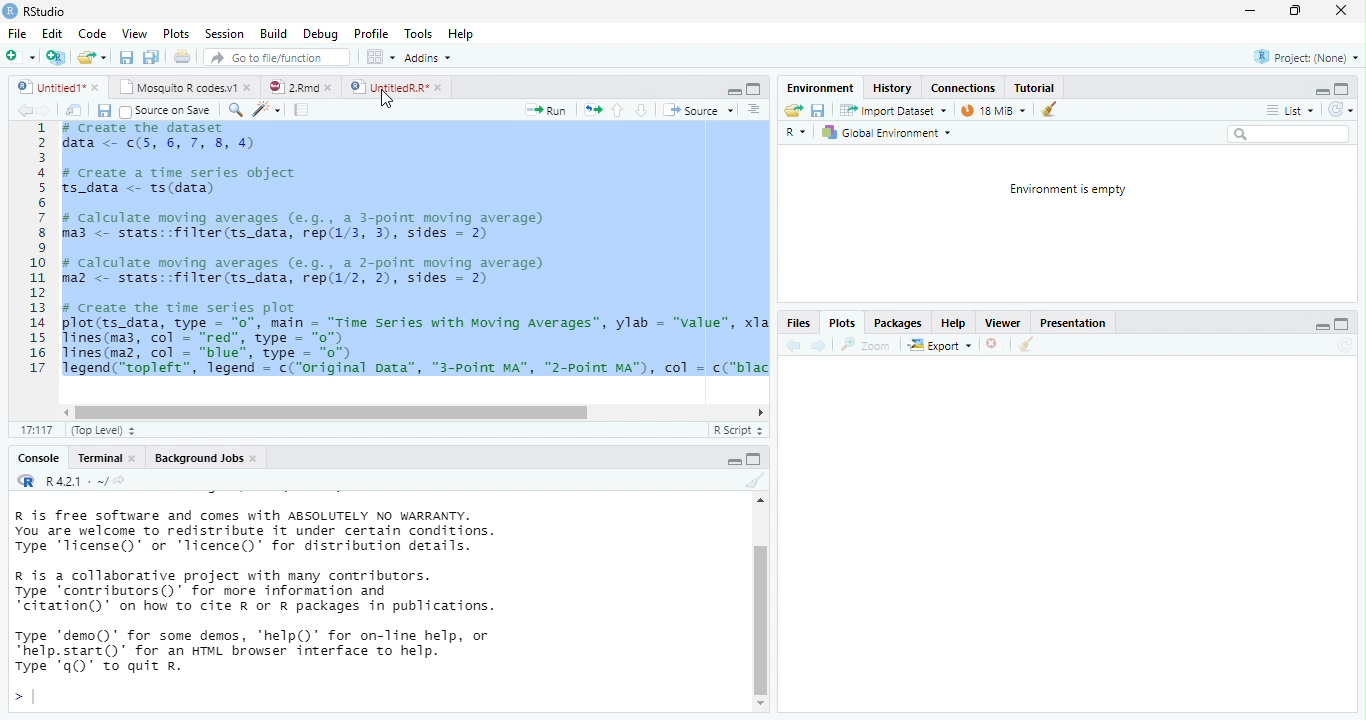 Image resolution: width=1366 pixels, height=720 pixels. I want to click on Run, so click(547, 111).